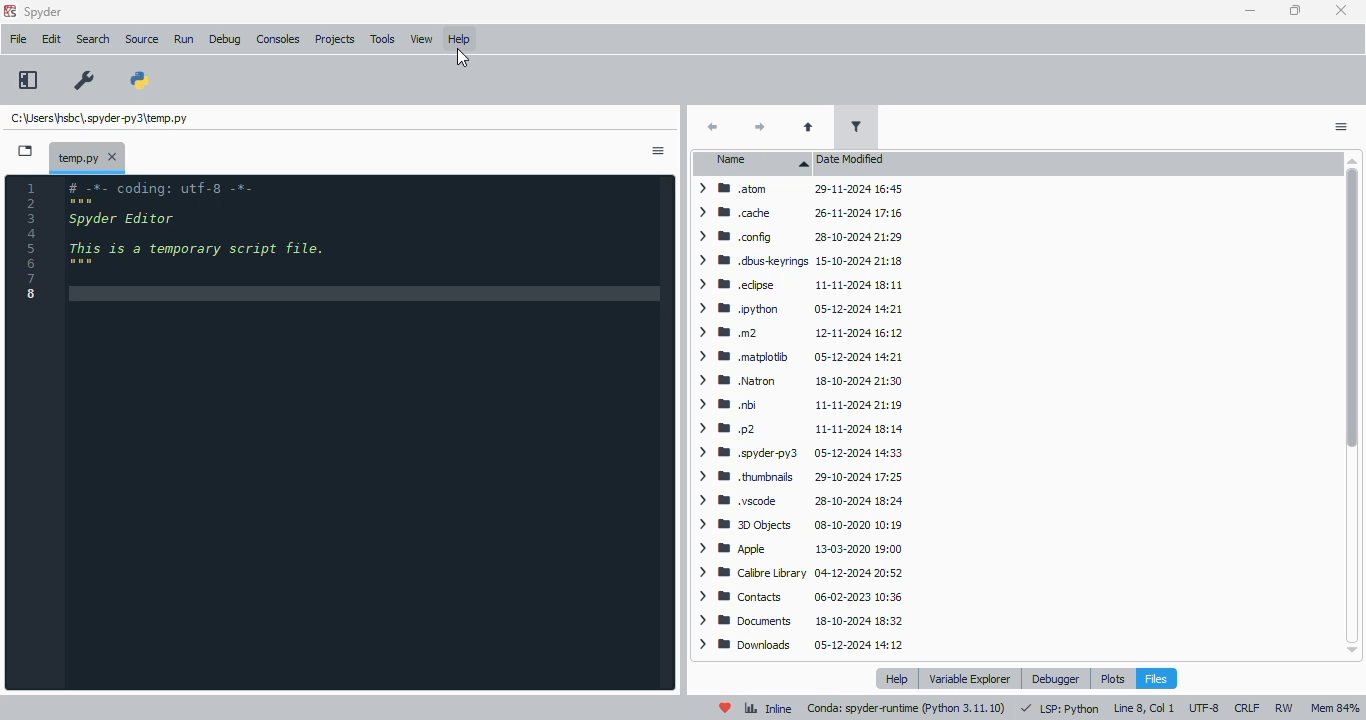 The image size is (1366, 720). Describe the element at coordinates (422, 39) in the screenshot. I see `view` at that location.